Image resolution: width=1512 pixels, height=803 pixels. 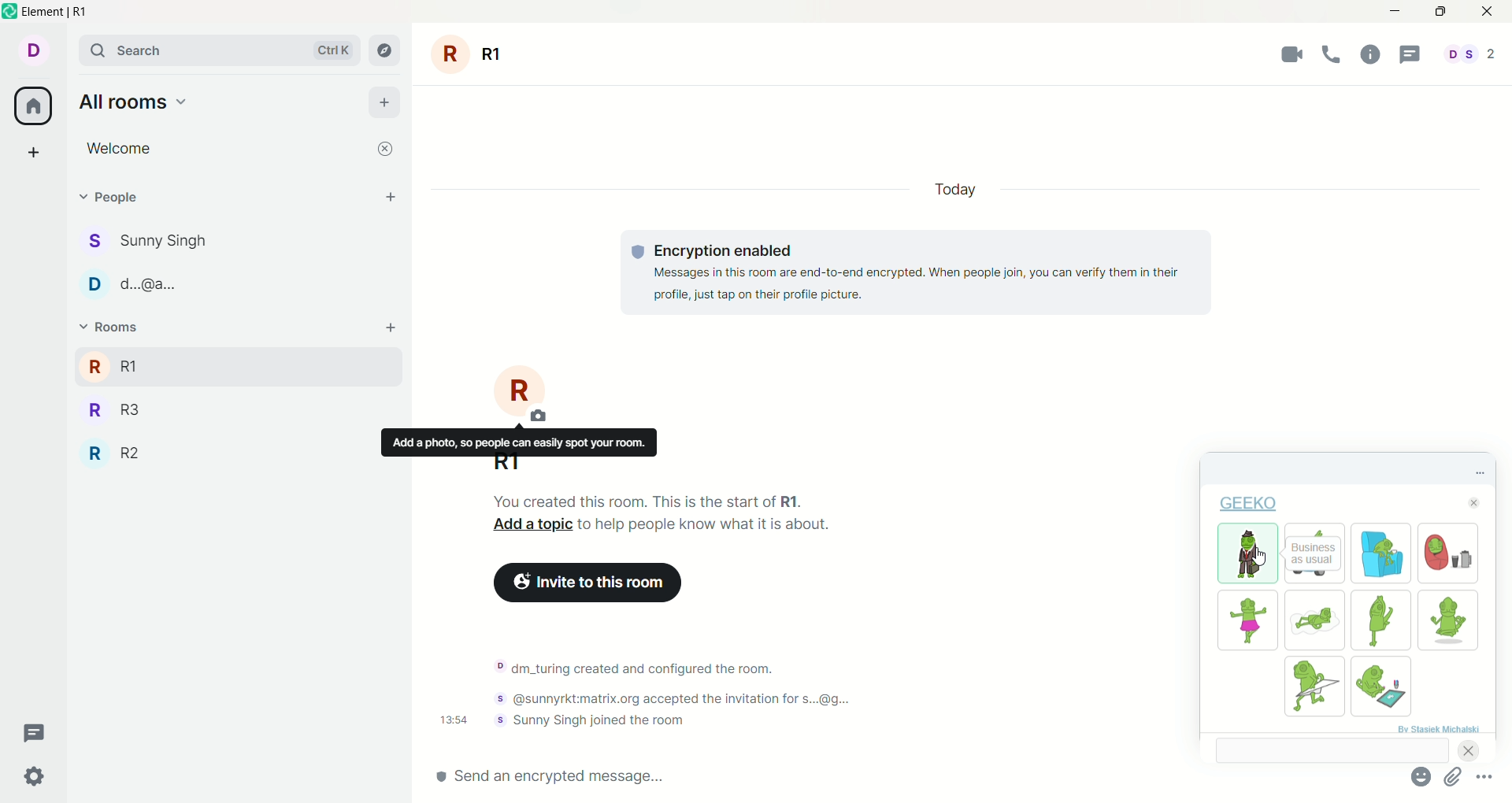 I want to click on threads, so click(x=35, y=734).